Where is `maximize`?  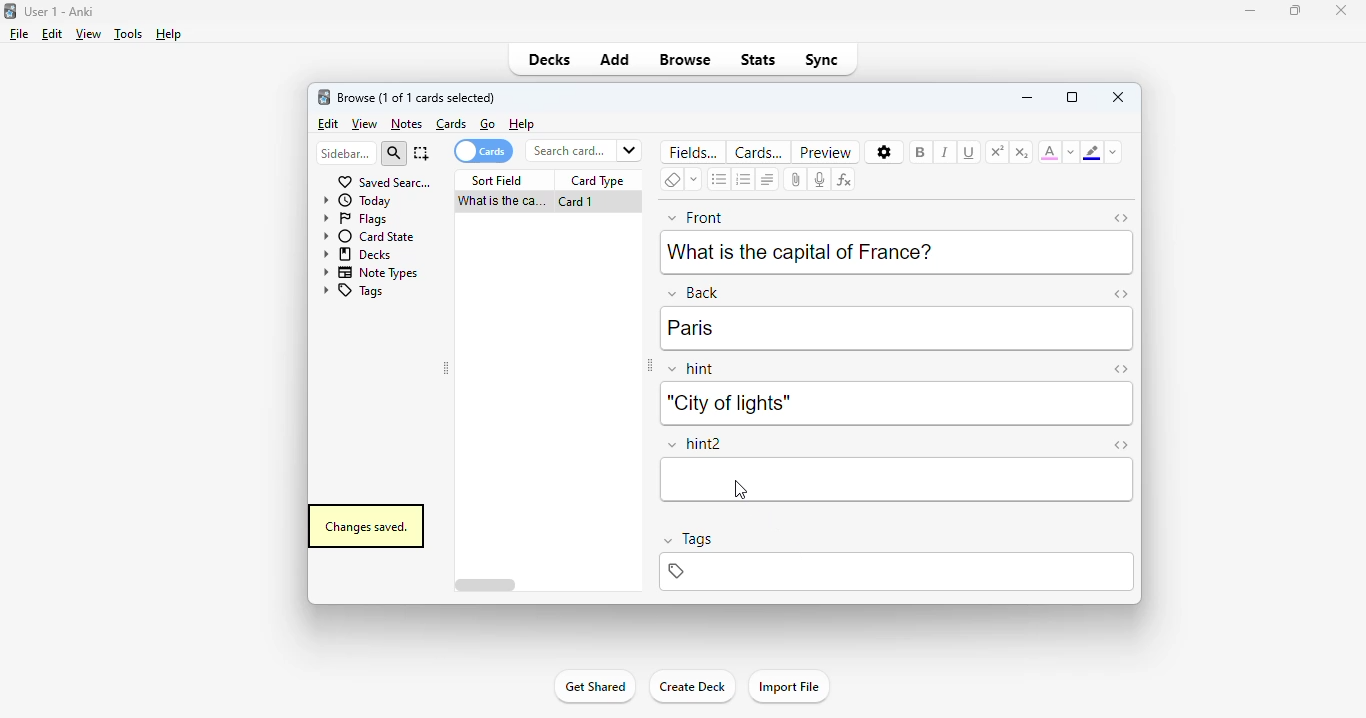
maximize is located at coordinates (1295, 9).